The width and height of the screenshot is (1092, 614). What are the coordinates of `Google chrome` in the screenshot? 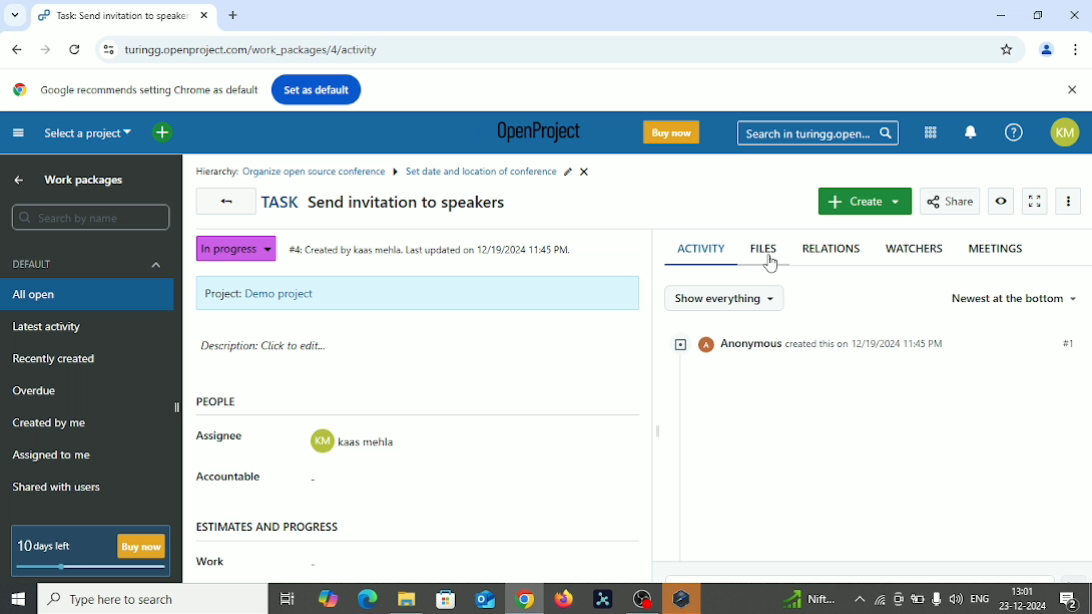 It's located at (524, 601).